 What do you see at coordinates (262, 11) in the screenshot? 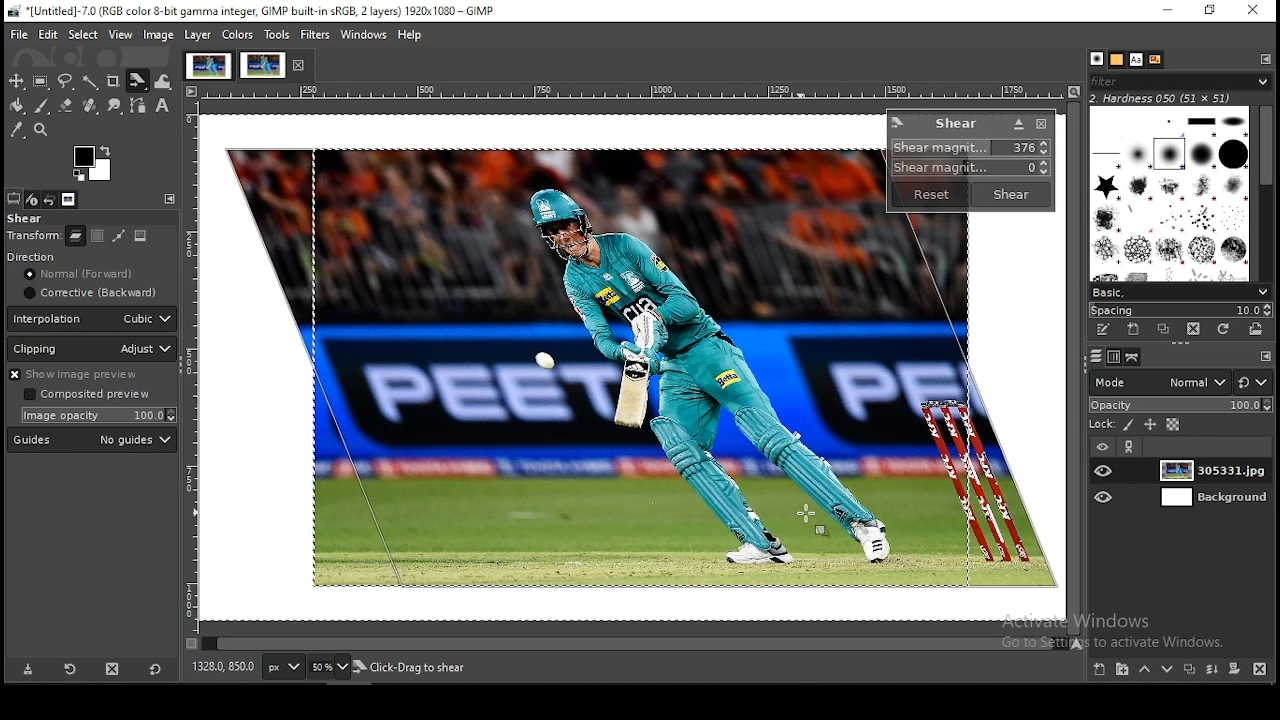
I see `*[Untitled]-7.0 (RGB color 8-bit gamma integer, GIMP built-in sRGB, 2 layers) 1920x1080 - GIMP` at bounding box center [262, 11].